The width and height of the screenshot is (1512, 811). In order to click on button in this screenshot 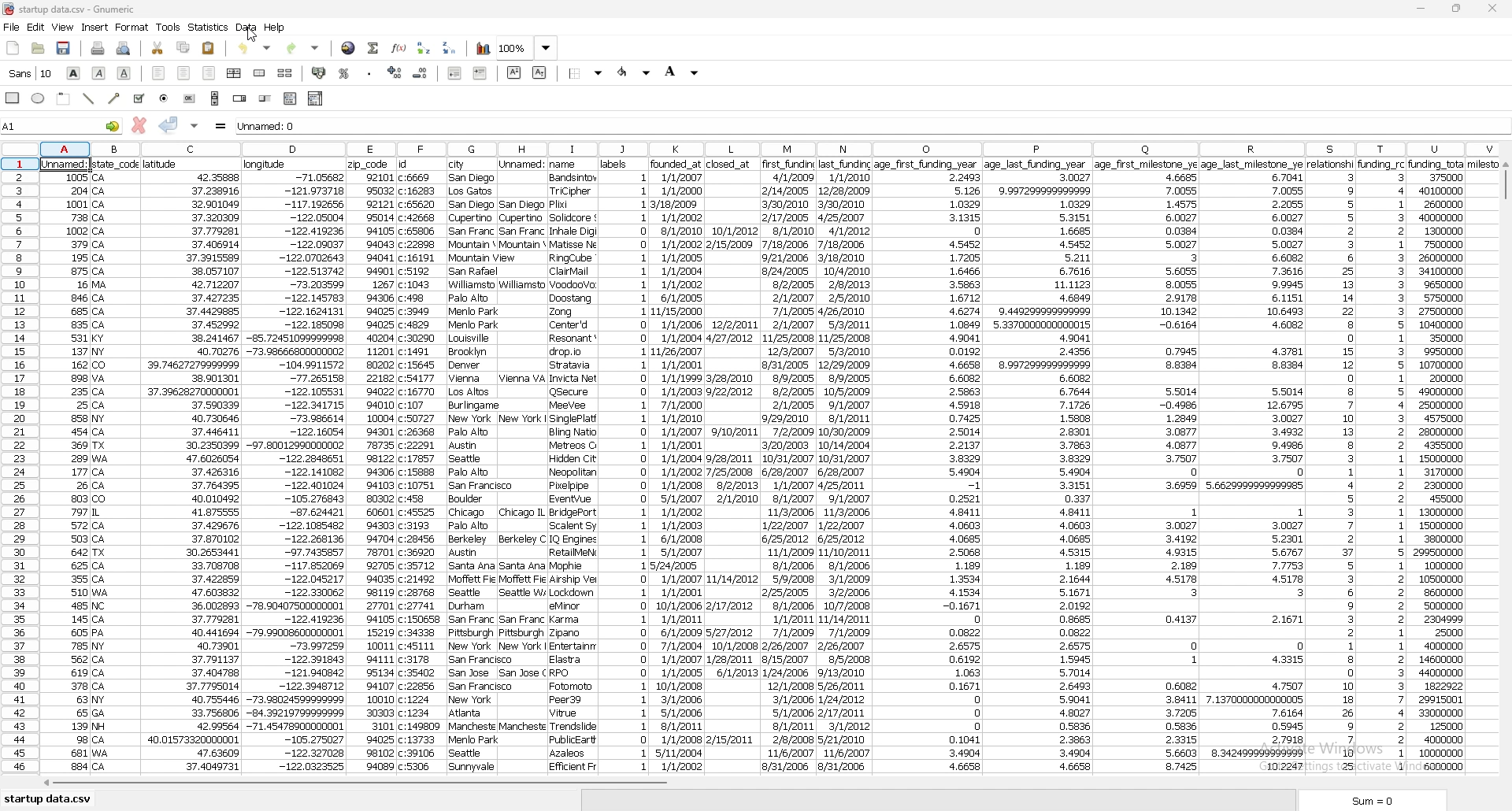, I will do `click(190, 98)`.